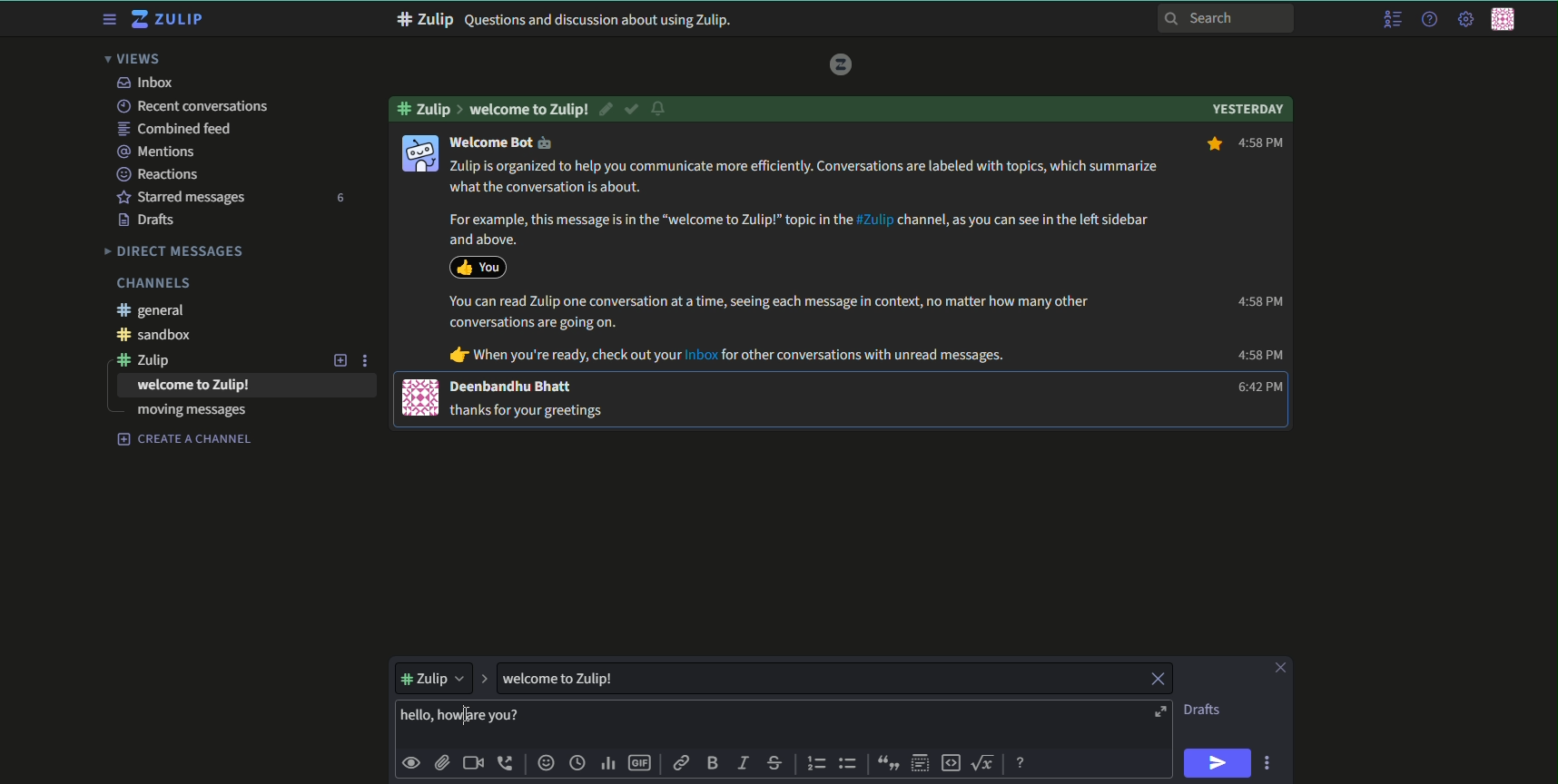 The image size is (1558, 784). I want to click on preview, so click(412, 761).